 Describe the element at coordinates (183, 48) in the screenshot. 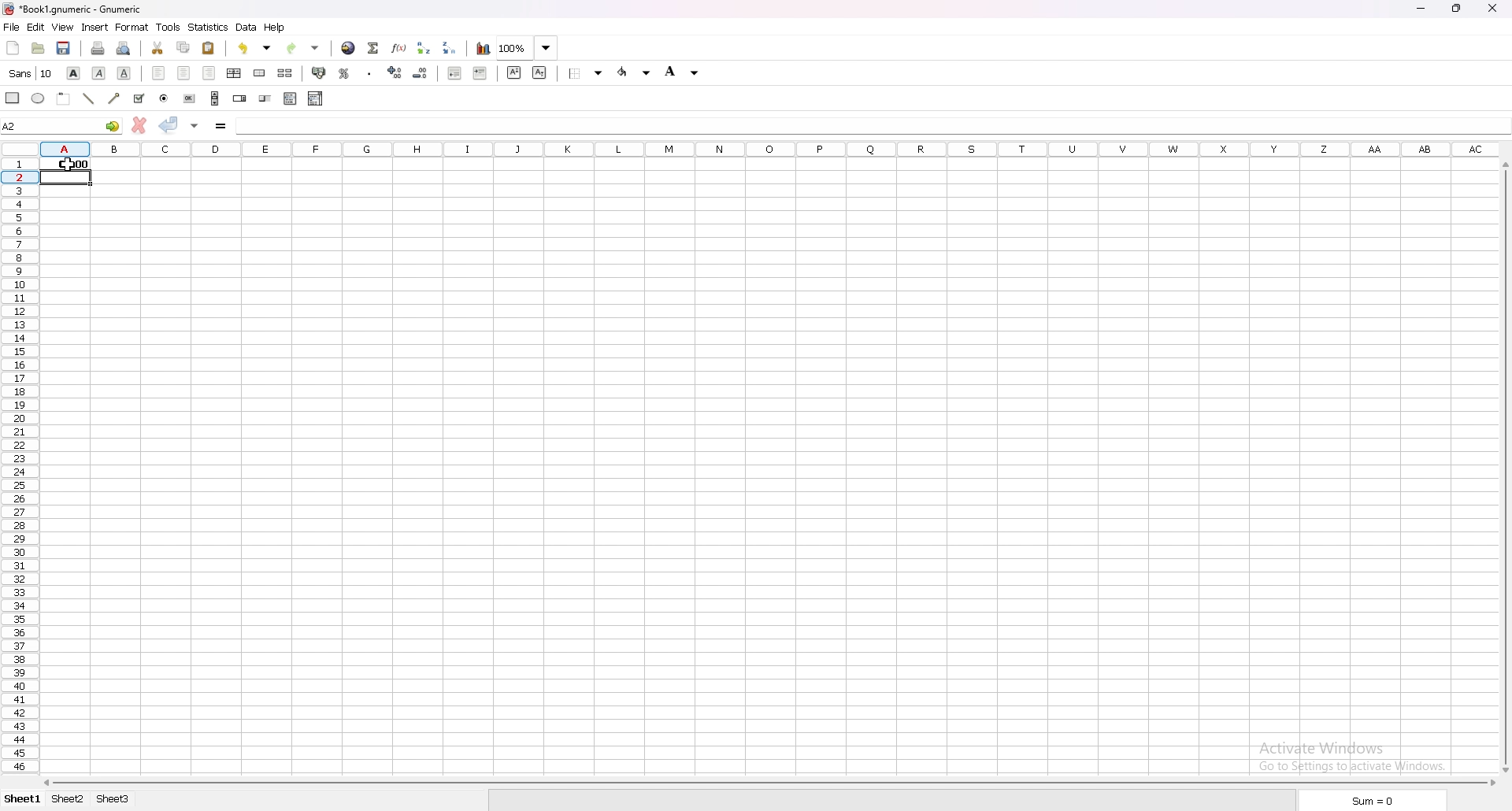

I see `copy` at that location.